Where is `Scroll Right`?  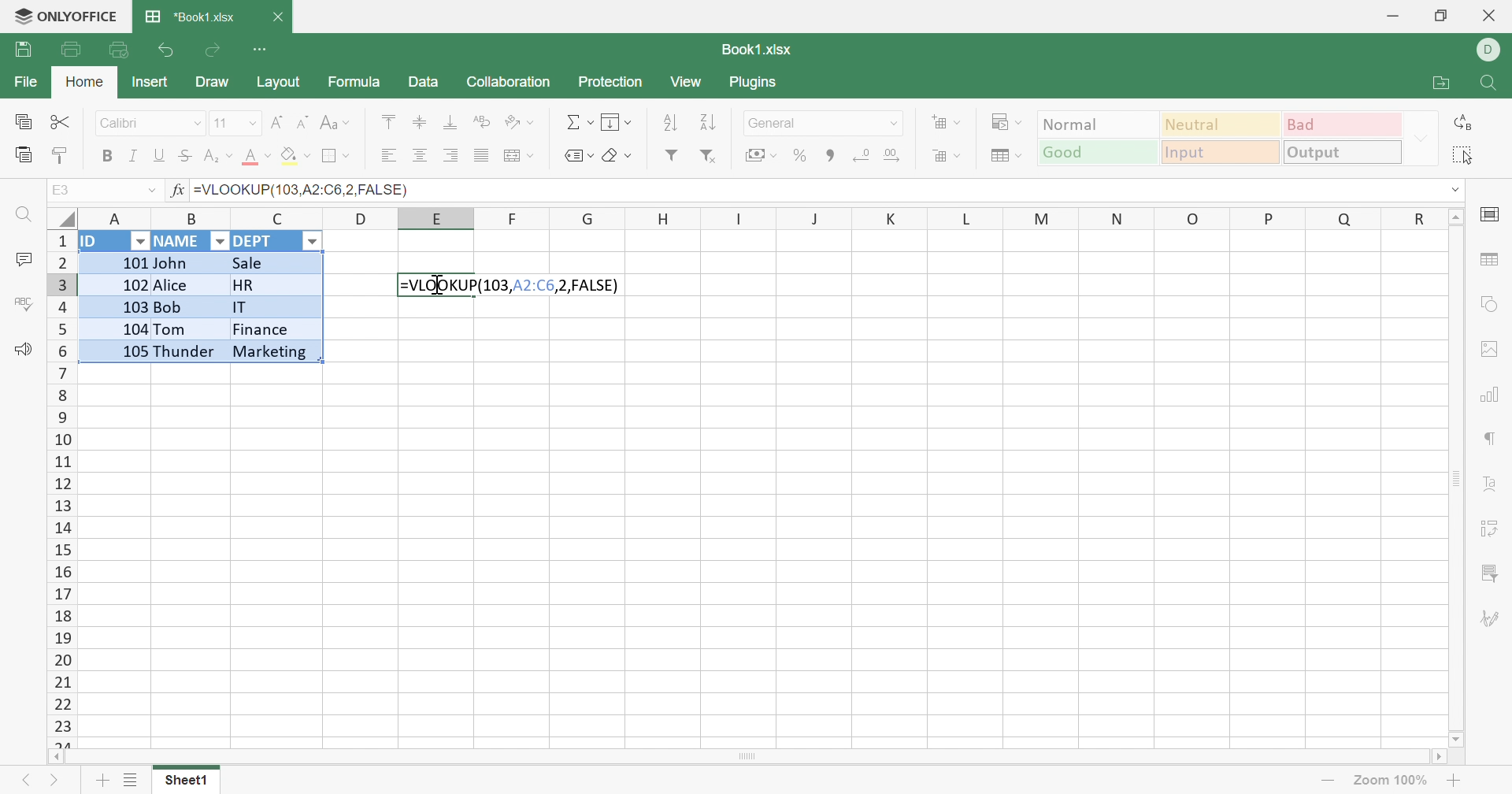
Scroll Right is located at coordinates (1436, 756).